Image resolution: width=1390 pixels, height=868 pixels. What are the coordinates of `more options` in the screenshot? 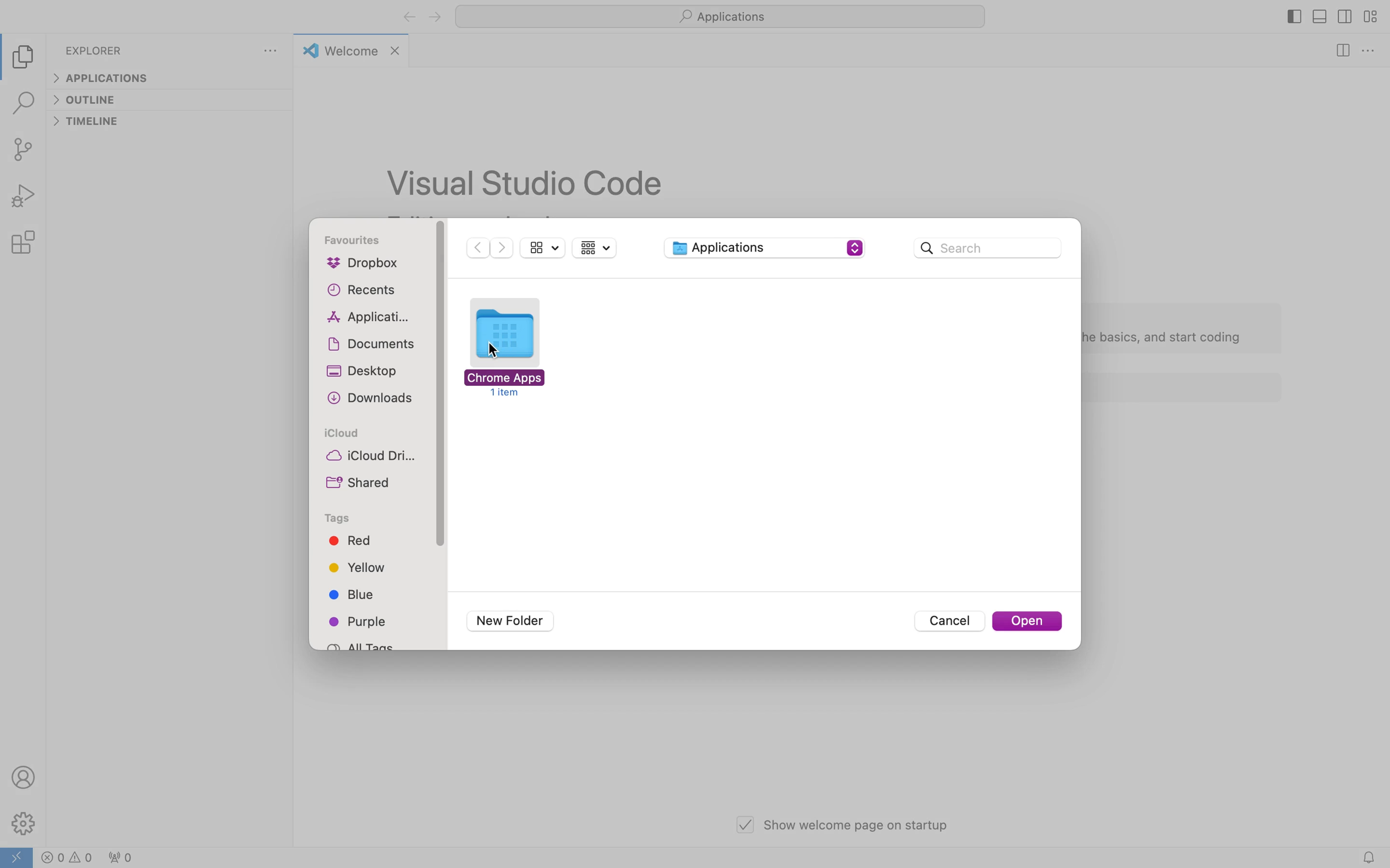 It's located at (272, 52).